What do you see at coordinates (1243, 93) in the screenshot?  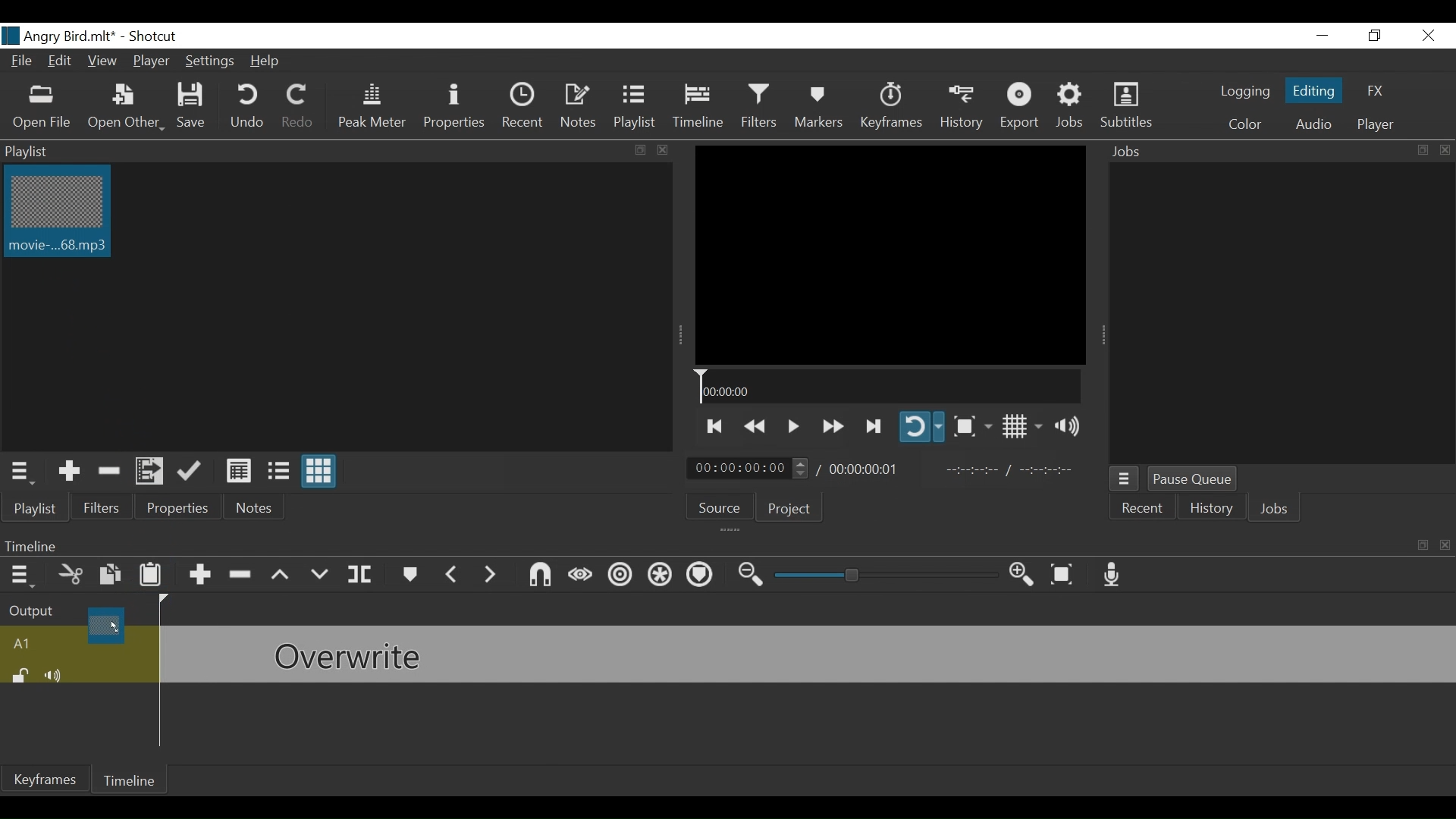 I see `logging` at bounding box center [1243, 93].